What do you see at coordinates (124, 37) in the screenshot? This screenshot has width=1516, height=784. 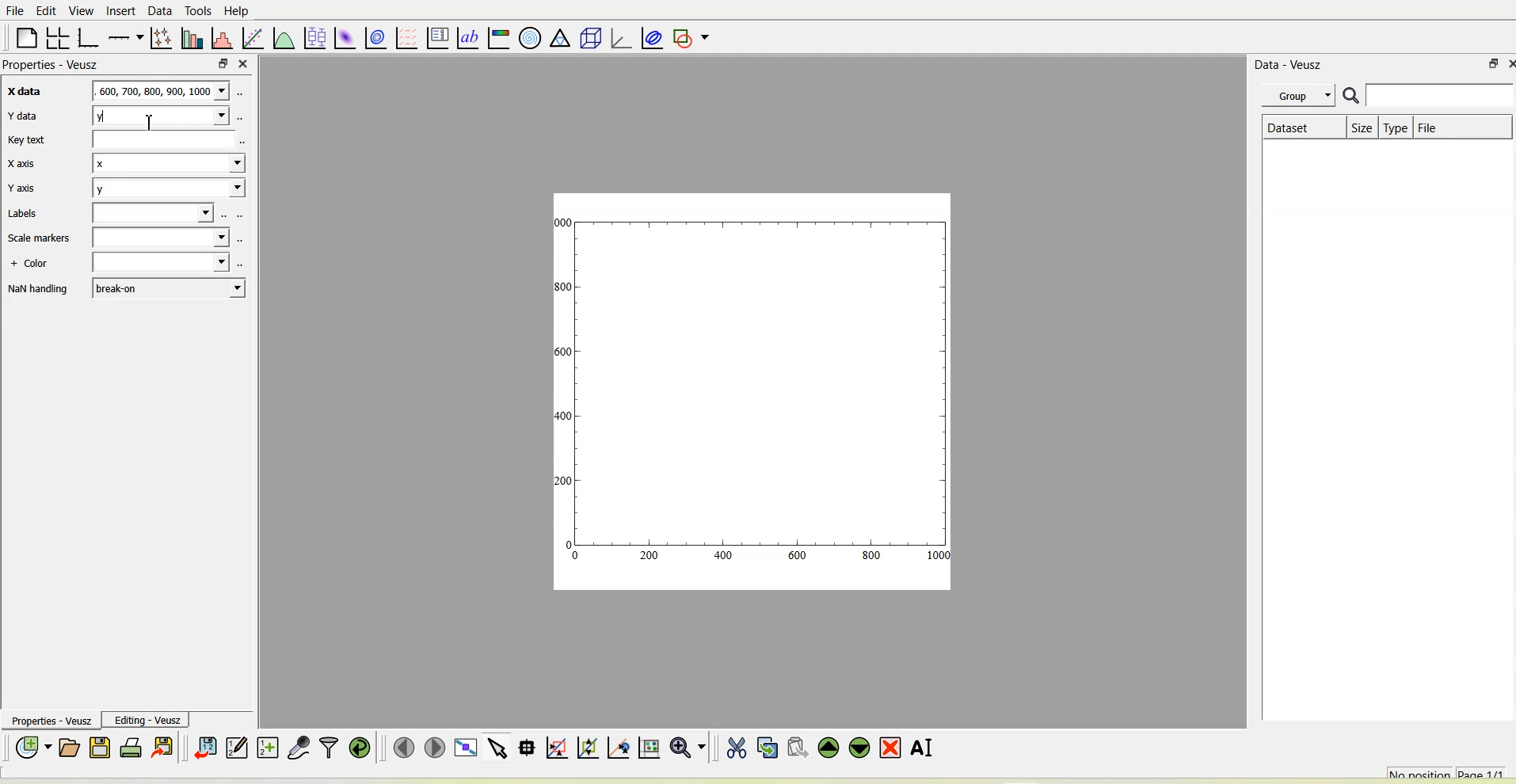 I see `Add an axis to the plot` at bounding box center [124, 37].